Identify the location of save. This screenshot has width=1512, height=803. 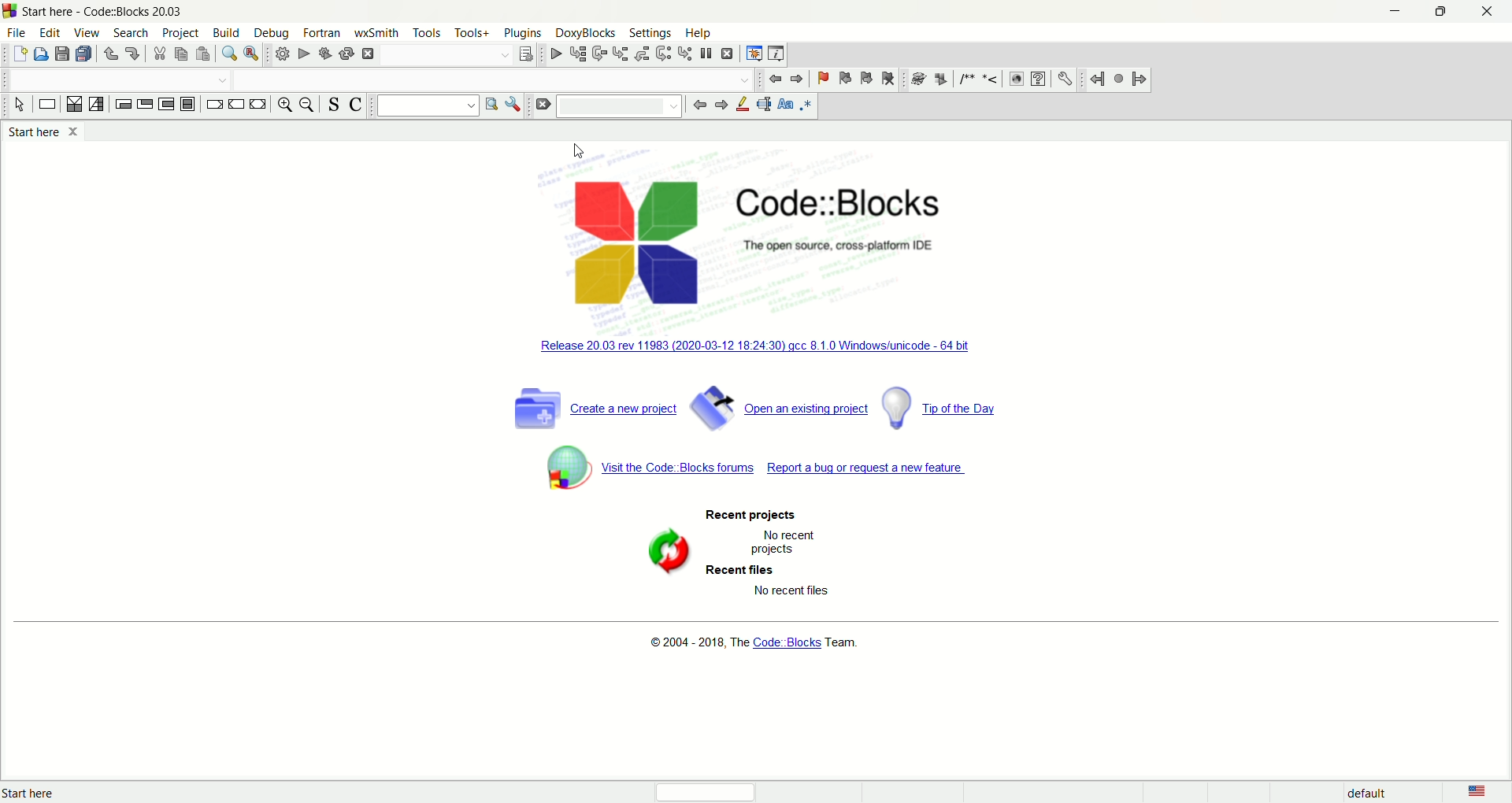
(61, 54).